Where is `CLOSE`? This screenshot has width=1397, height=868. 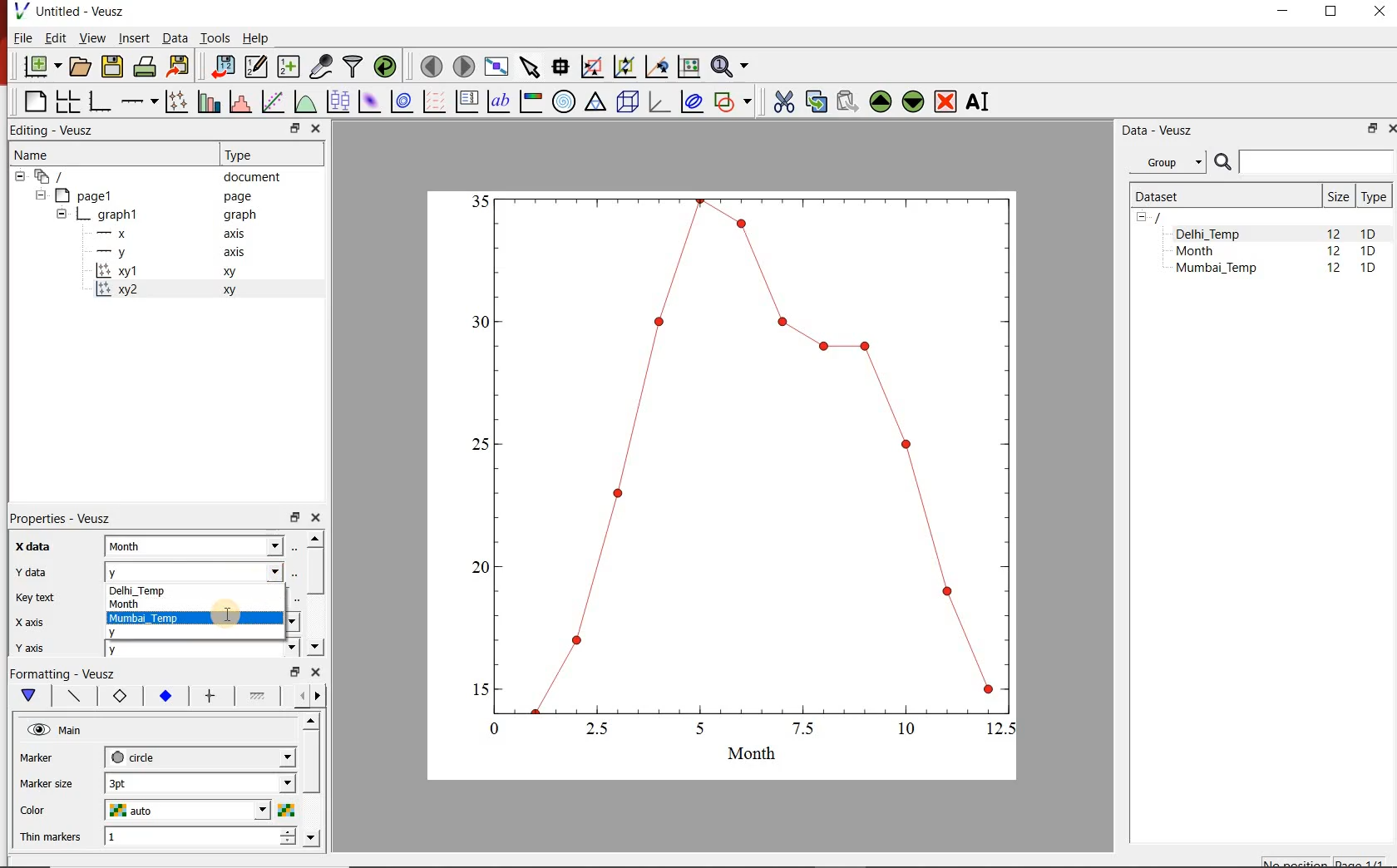
CLOSE is located at coordinates (1377, 11).